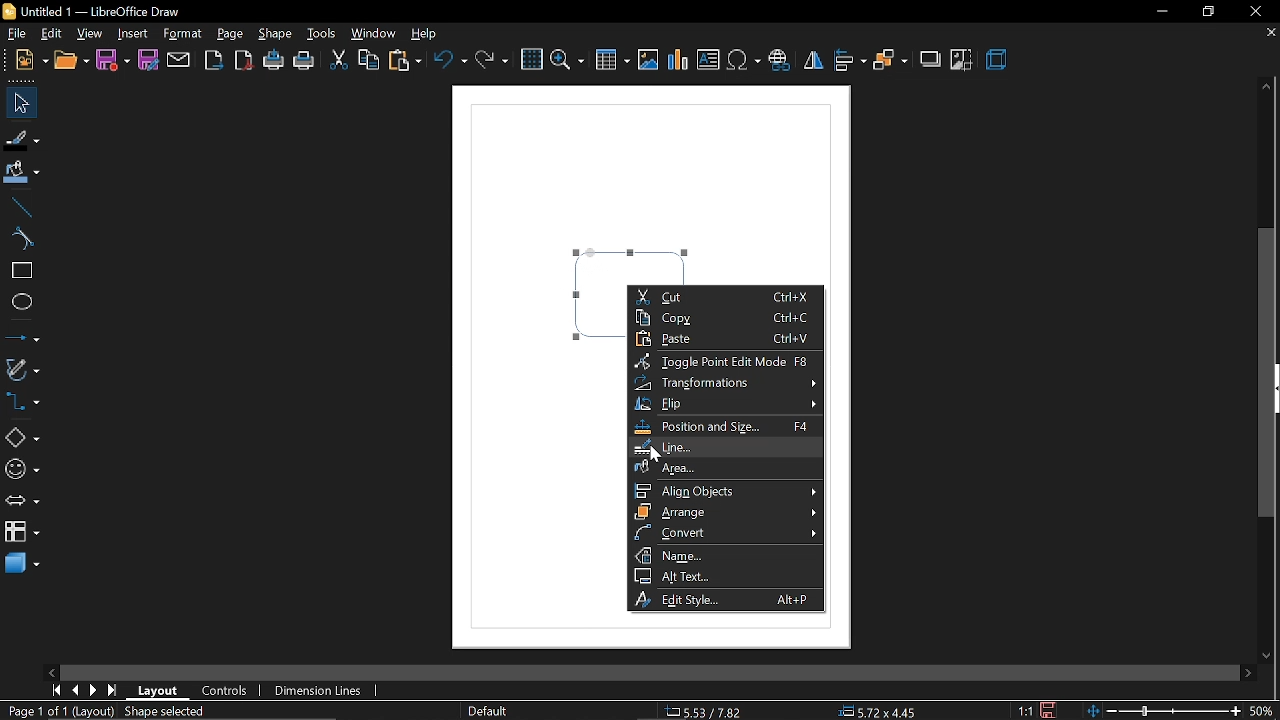 This screenshot has width=1280, height=720. What do you see at coordinates (32, 60) in the screenshot?
I see `file` at bounding box center [32, 60].